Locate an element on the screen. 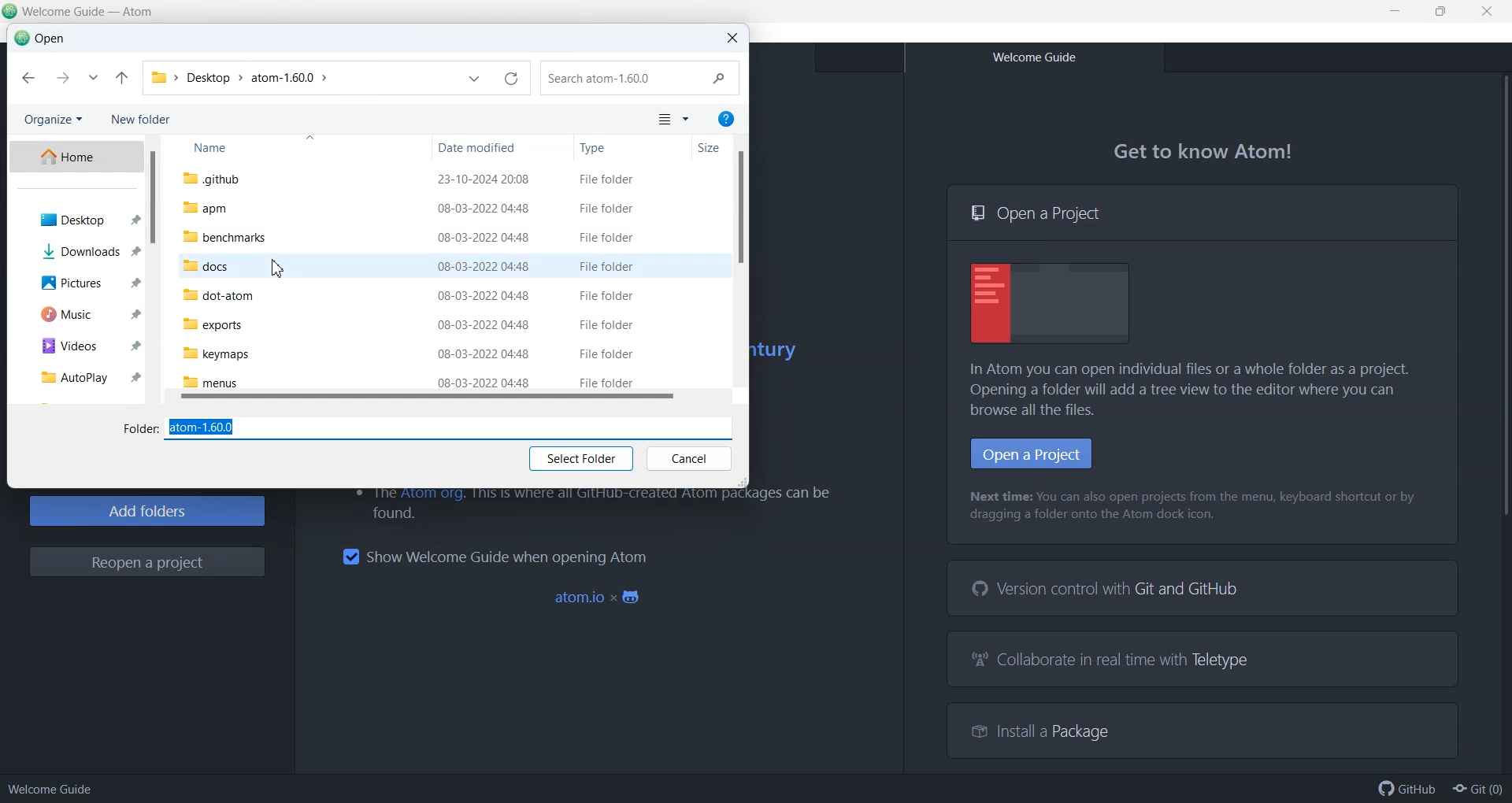 This screenshot has height=803, width=1512. atom.io is located at coordinates (600, 598).